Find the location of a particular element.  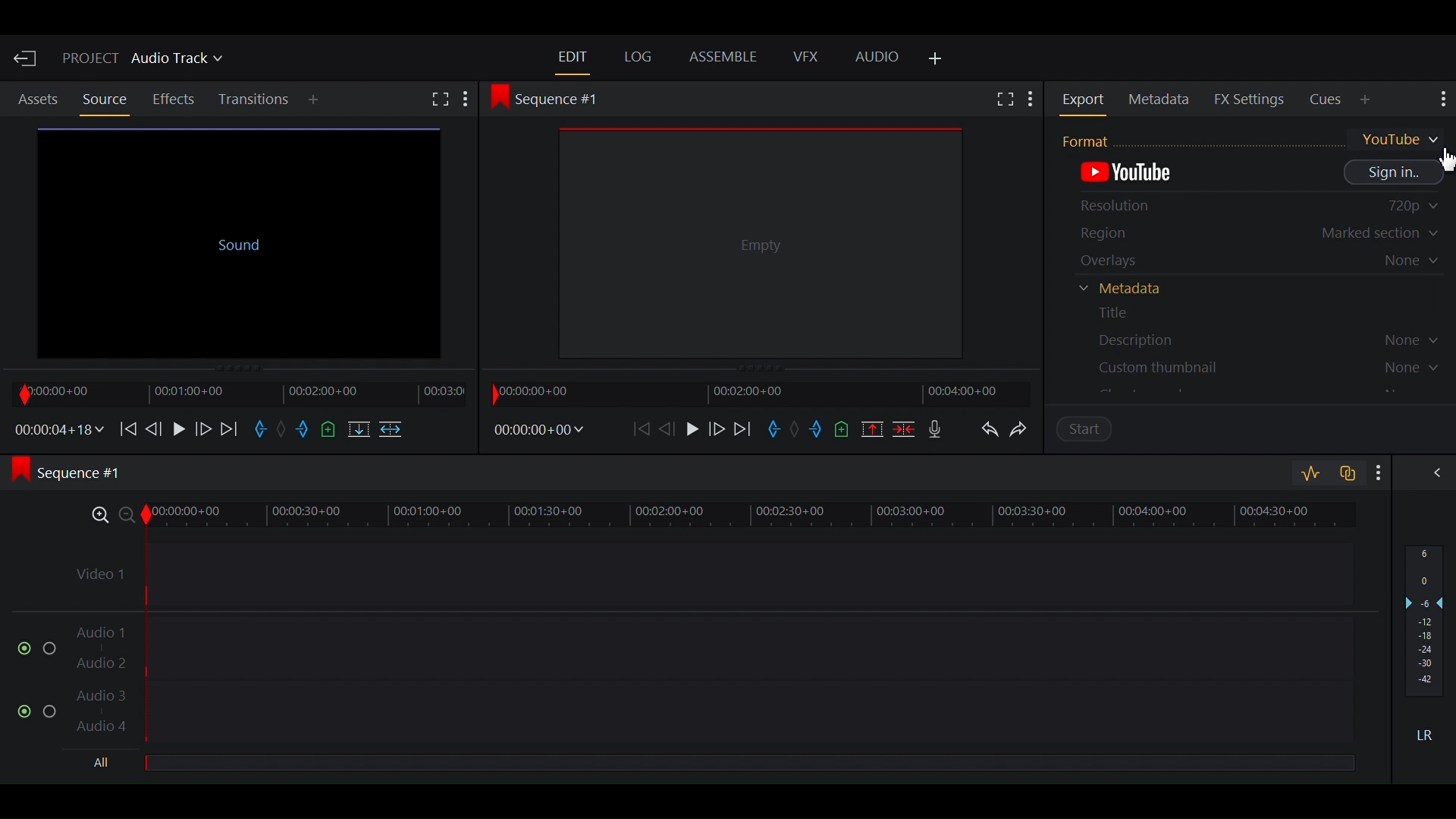

Metadata is located at coordinates (1162, 100).